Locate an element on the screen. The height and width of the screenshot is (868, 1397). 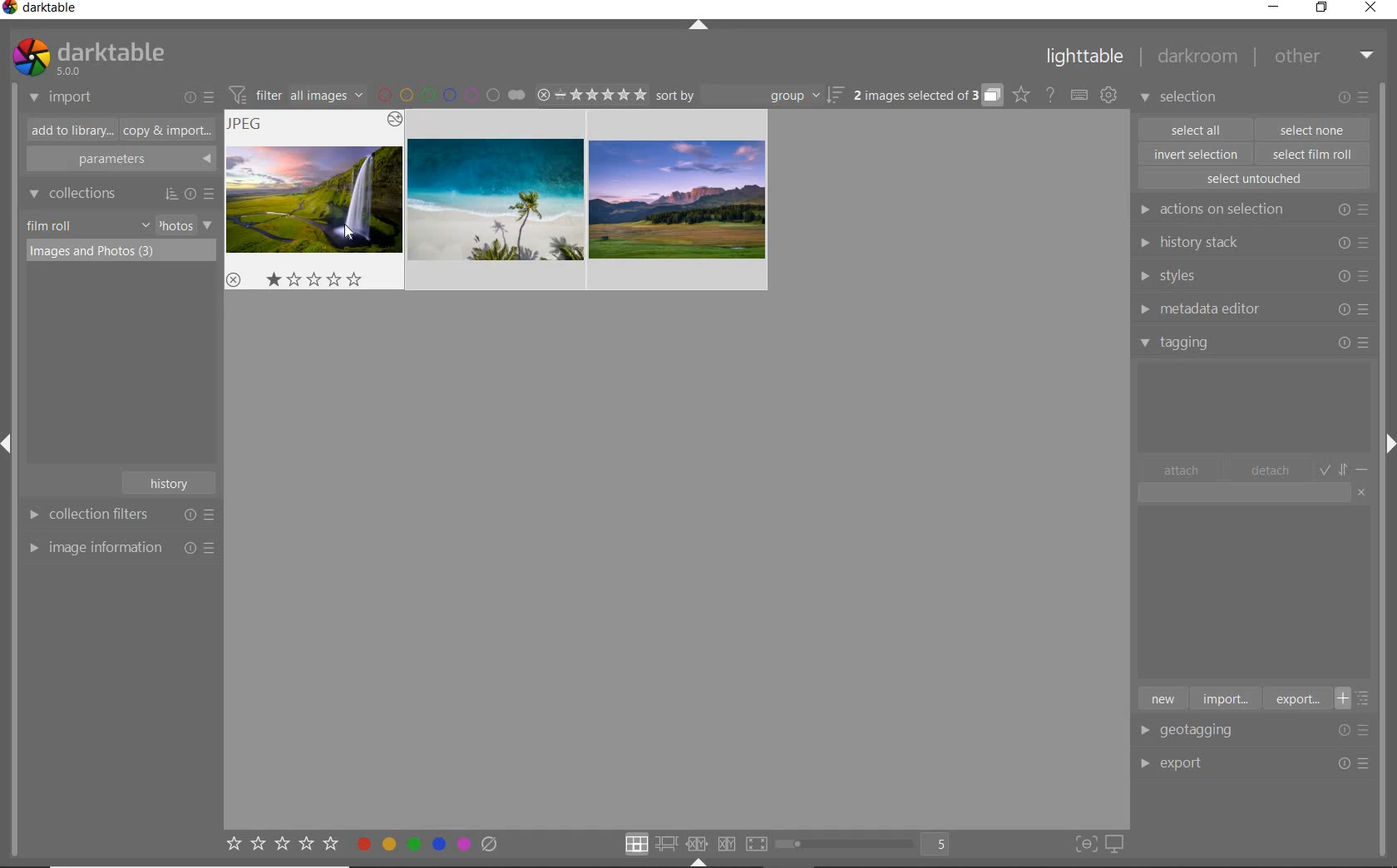
darkroom is located at coordinates (1198, 59).